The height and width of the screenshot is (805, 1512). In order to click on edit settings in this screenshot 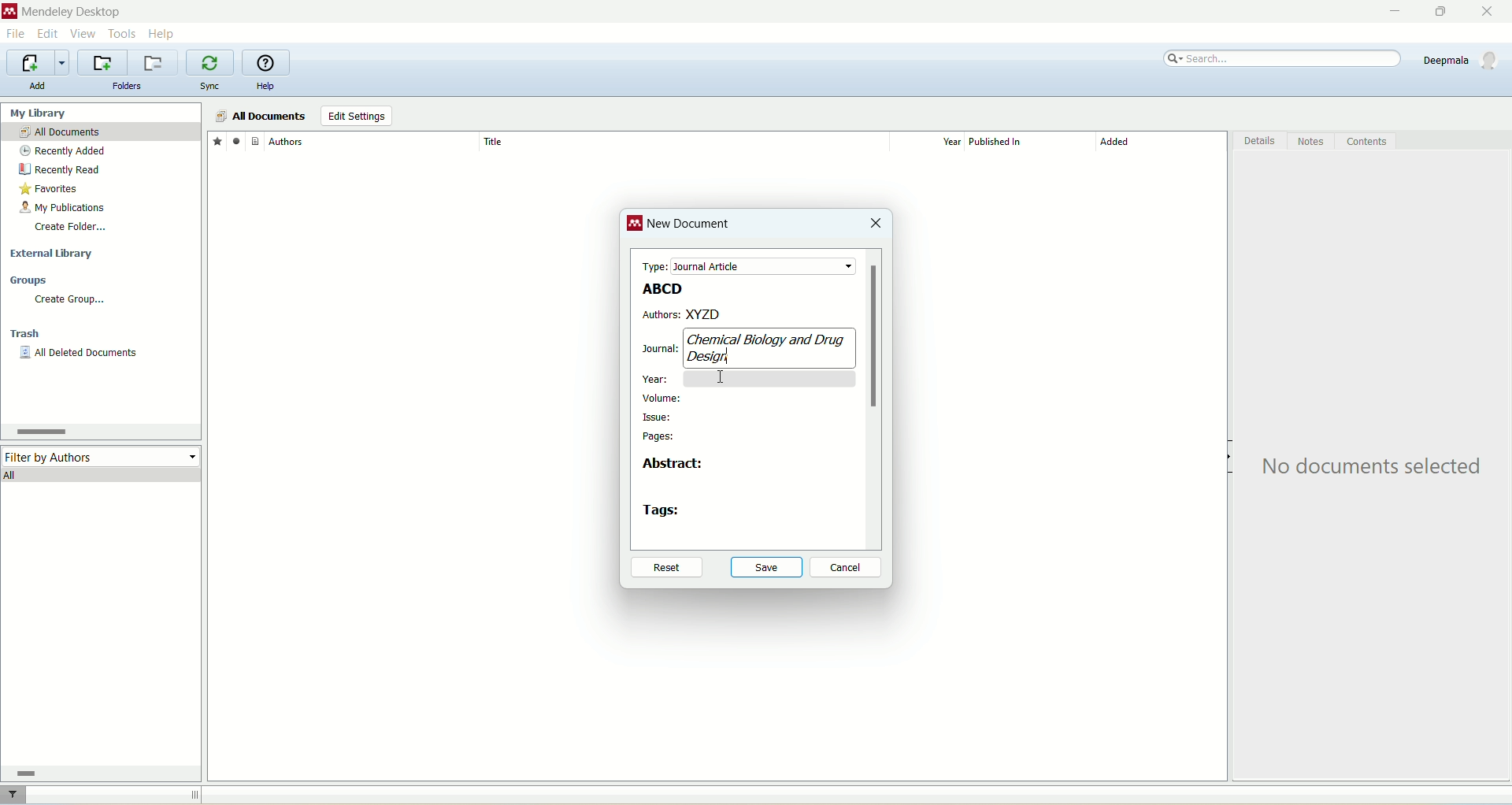, I will do `click(356, 117)`.